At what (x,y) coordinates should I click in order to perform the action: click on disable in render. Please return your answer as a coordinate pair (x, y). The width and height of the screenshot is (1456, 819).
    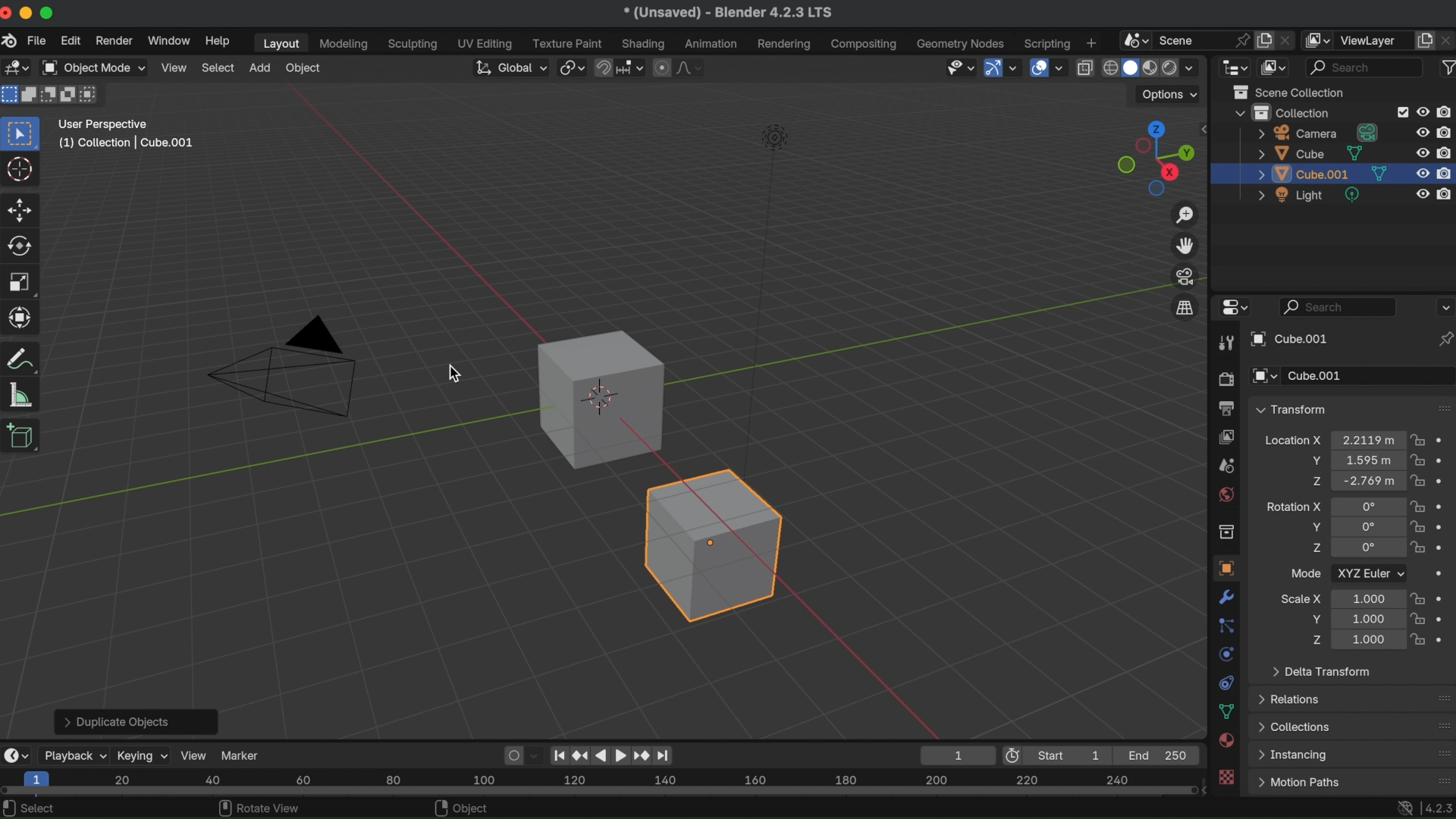
    Looking at the image, I should click on (1446, 111).